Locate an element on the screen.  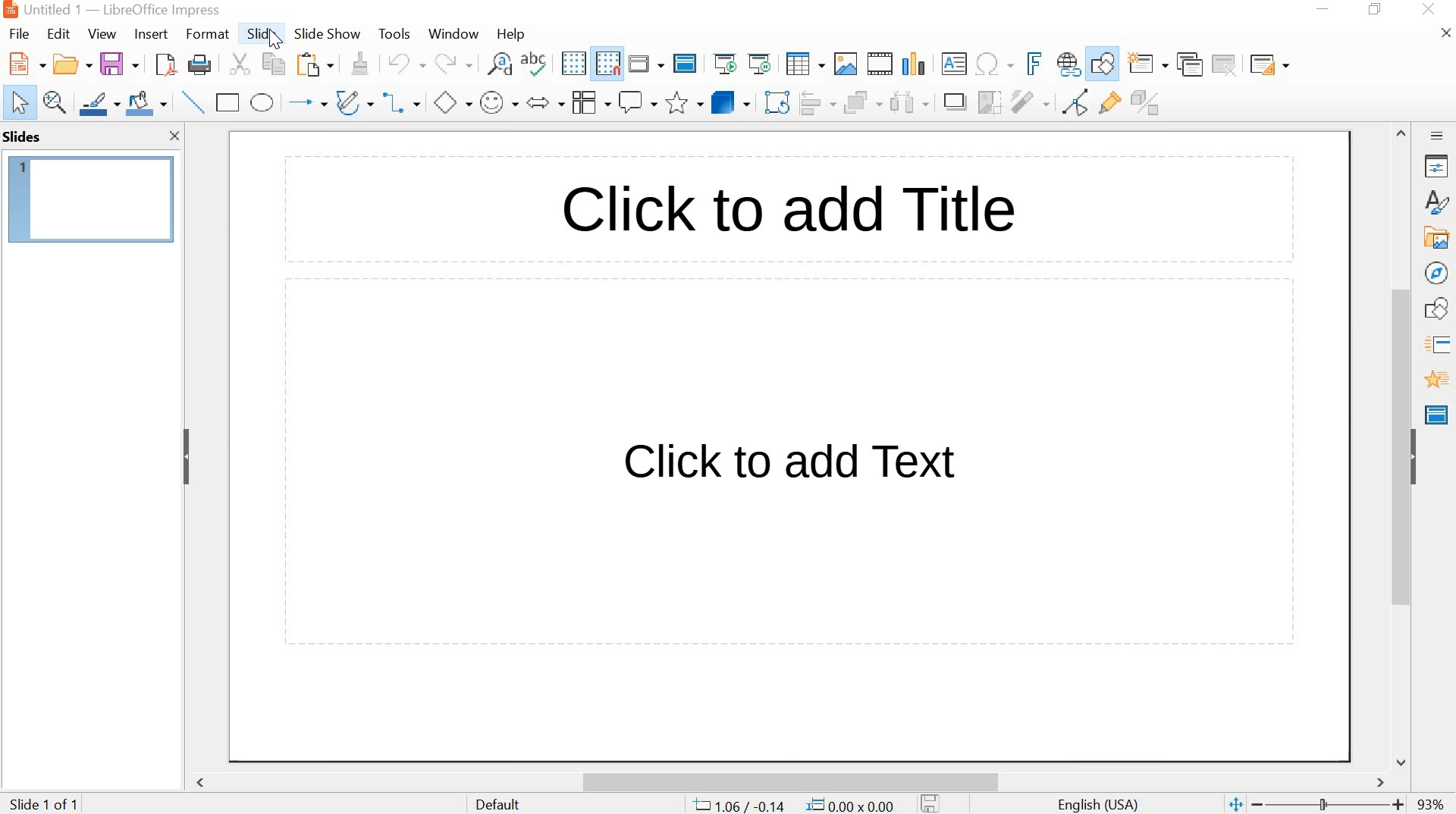
COPY is located at coordinates (277, 66).